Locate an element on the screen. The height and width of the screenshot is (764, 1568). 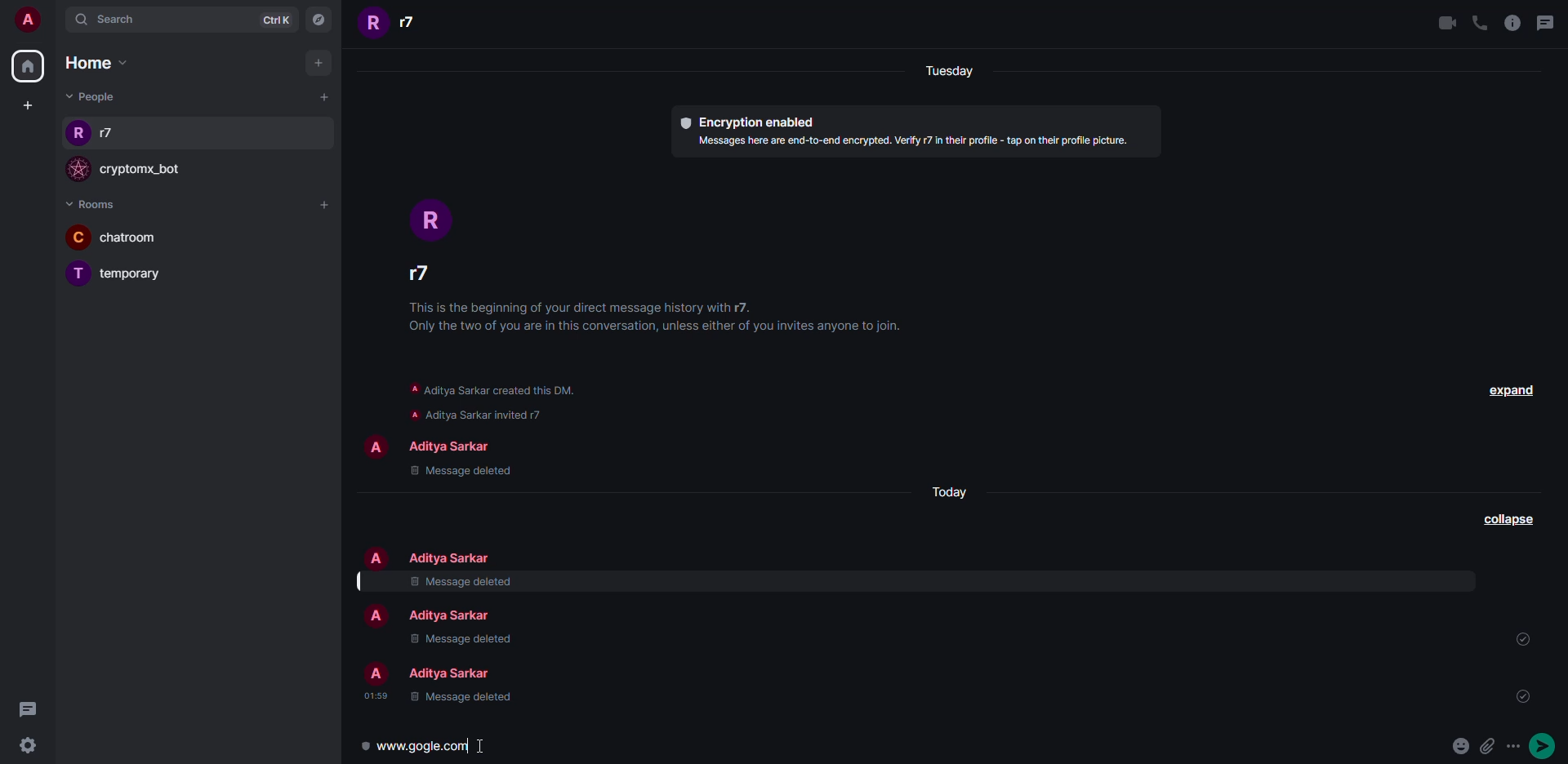
encryption enabled is located at coordinates (748, 119).